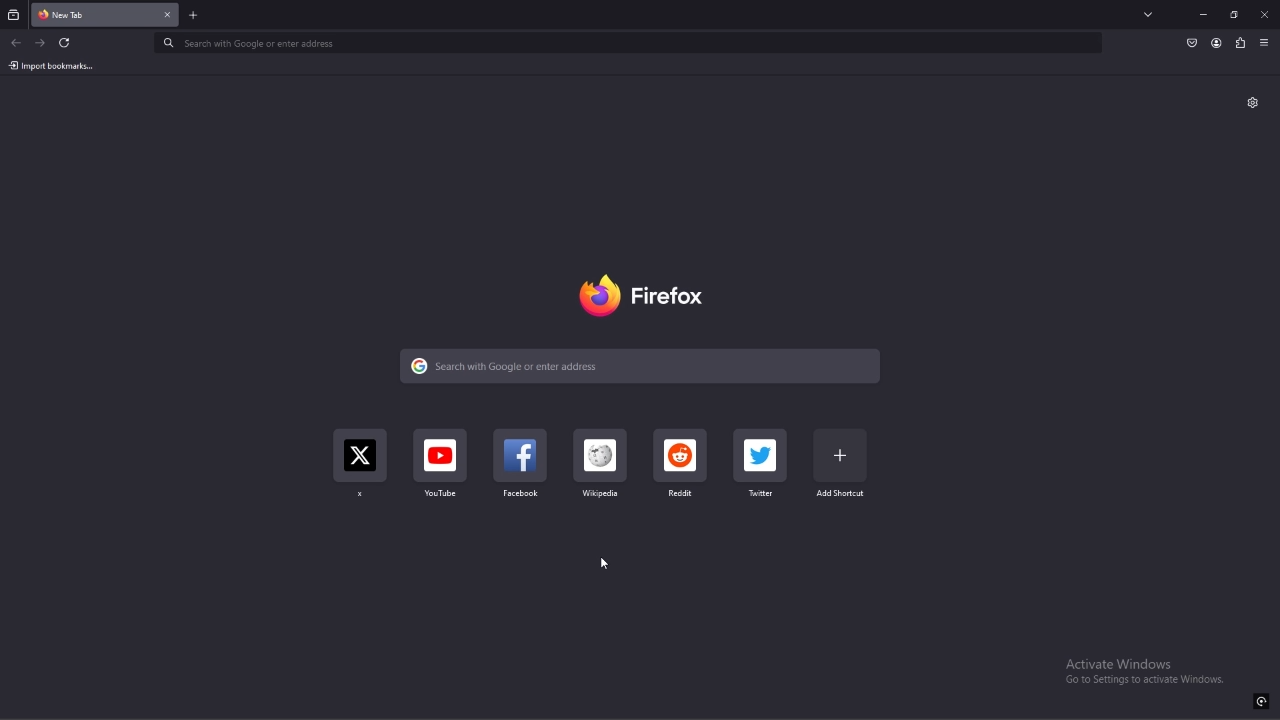 The height and width of the screenshot is (720, 1280). Describe the element at coordinates (1252, 102) in the screenshot. I see `customize` at that location.